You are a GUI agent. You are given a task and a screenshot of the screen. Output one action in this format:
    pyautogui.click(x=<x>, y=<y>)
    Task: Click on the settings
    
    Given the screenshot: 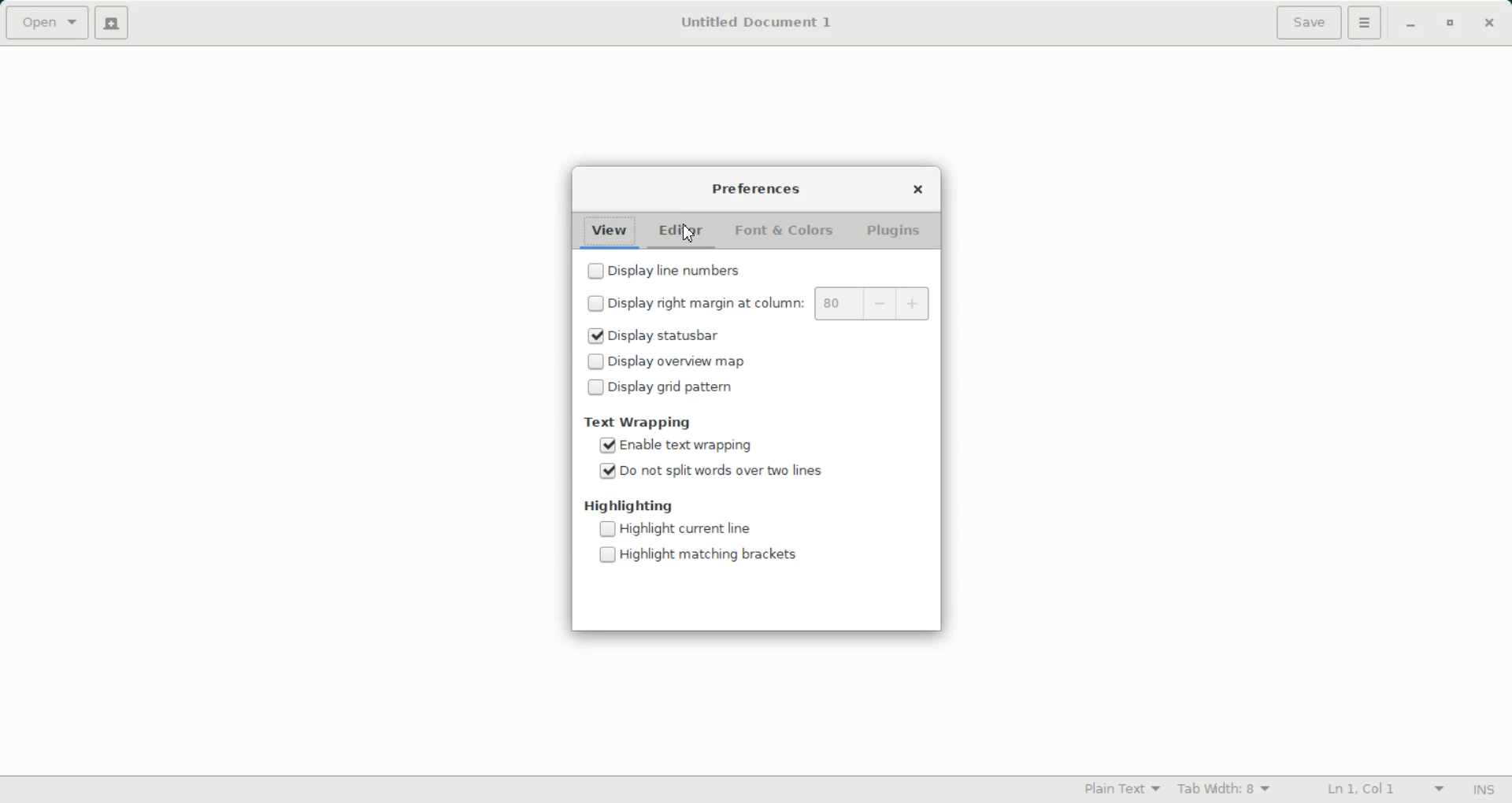 What is the action you would take?
    pyautogui.click(x=1364, y=24)
    